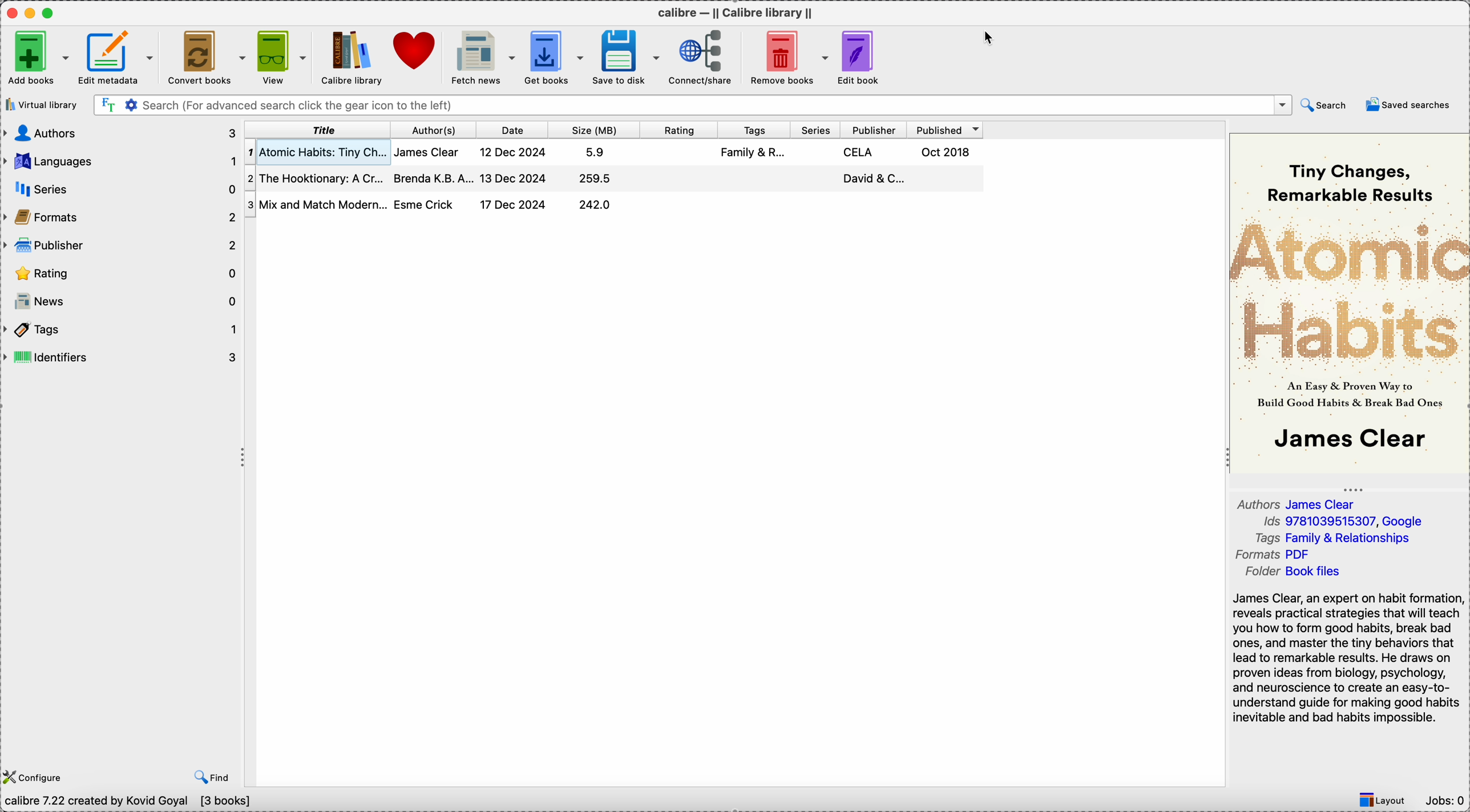  I want to click on identifiers, so click(122, 357).